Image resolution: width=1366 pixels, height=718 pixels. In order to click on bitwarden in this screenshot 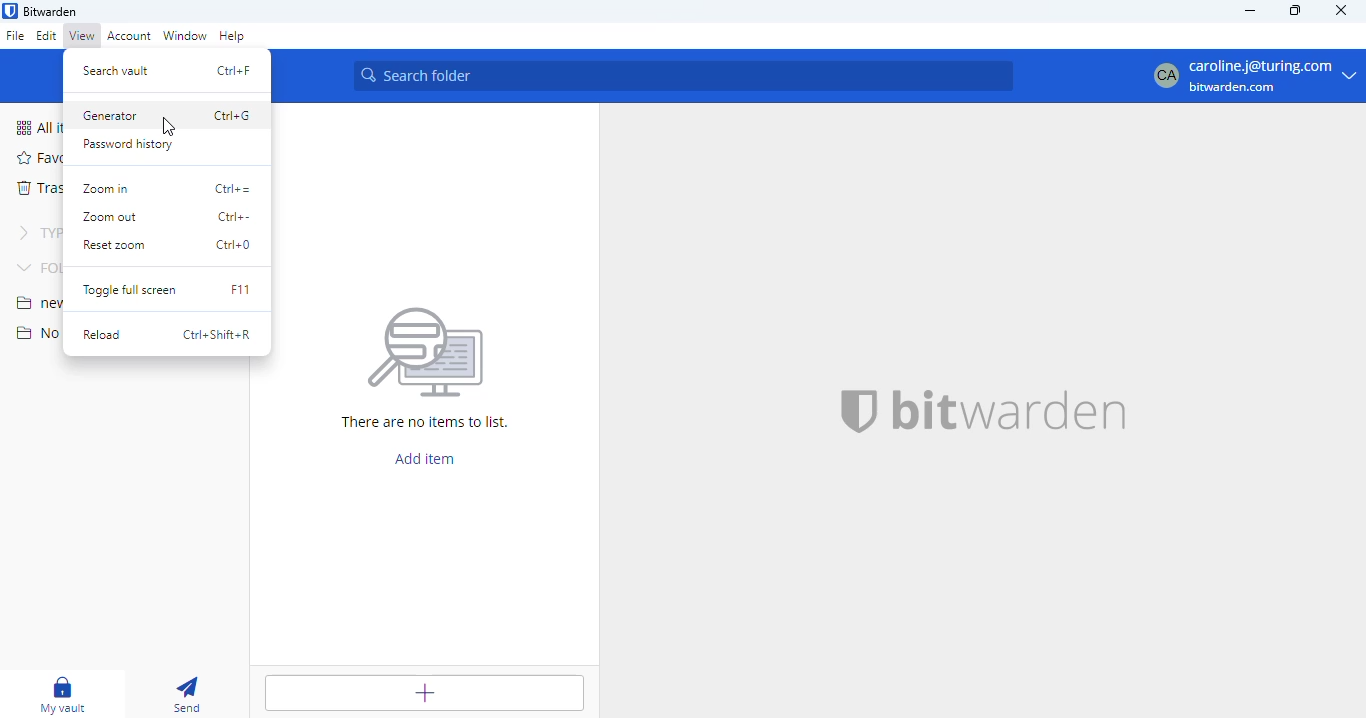, I will do `click(1012, 411)`.